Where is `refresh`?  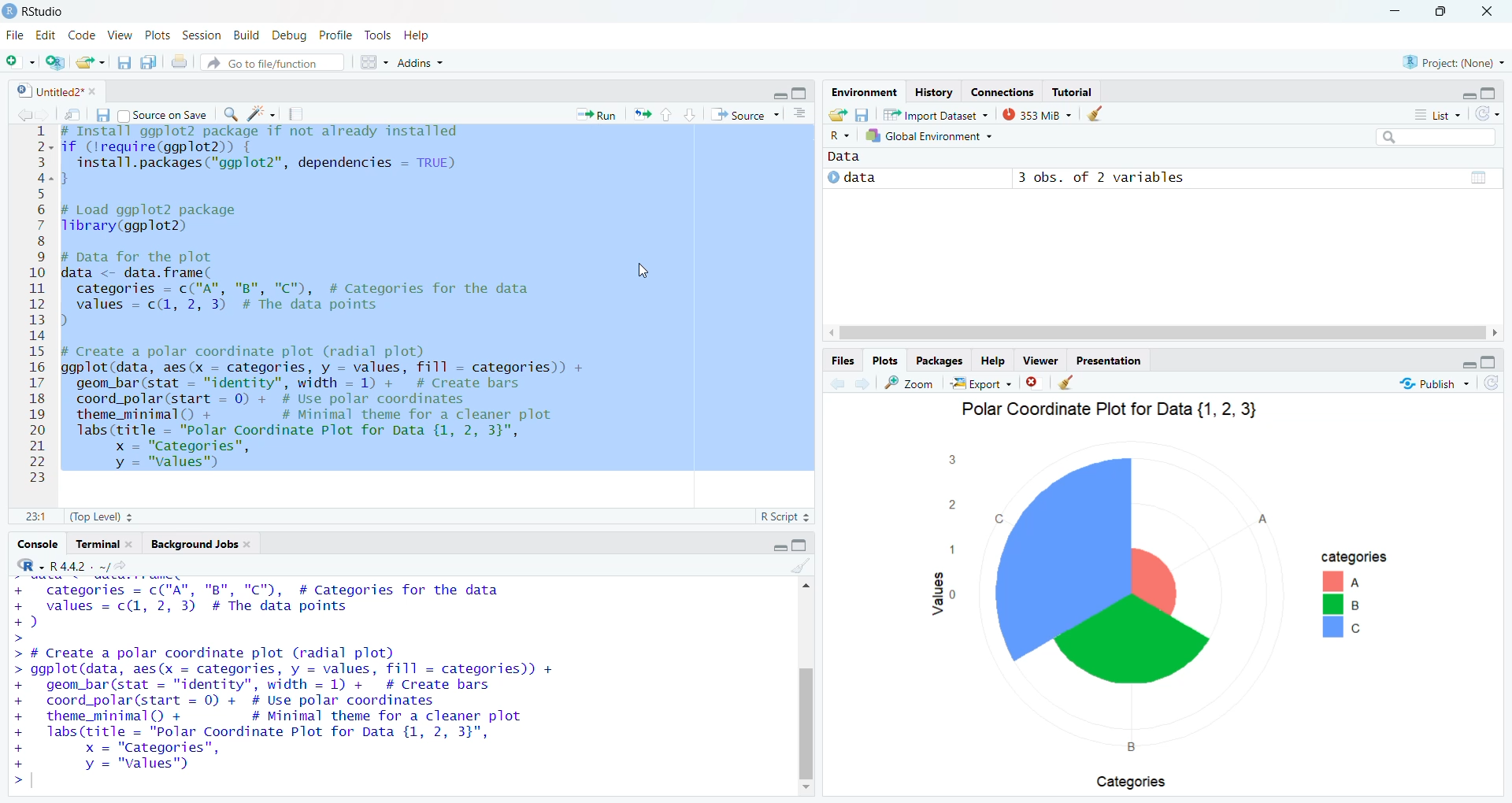 refresh is located at coordinates (1496, 384).